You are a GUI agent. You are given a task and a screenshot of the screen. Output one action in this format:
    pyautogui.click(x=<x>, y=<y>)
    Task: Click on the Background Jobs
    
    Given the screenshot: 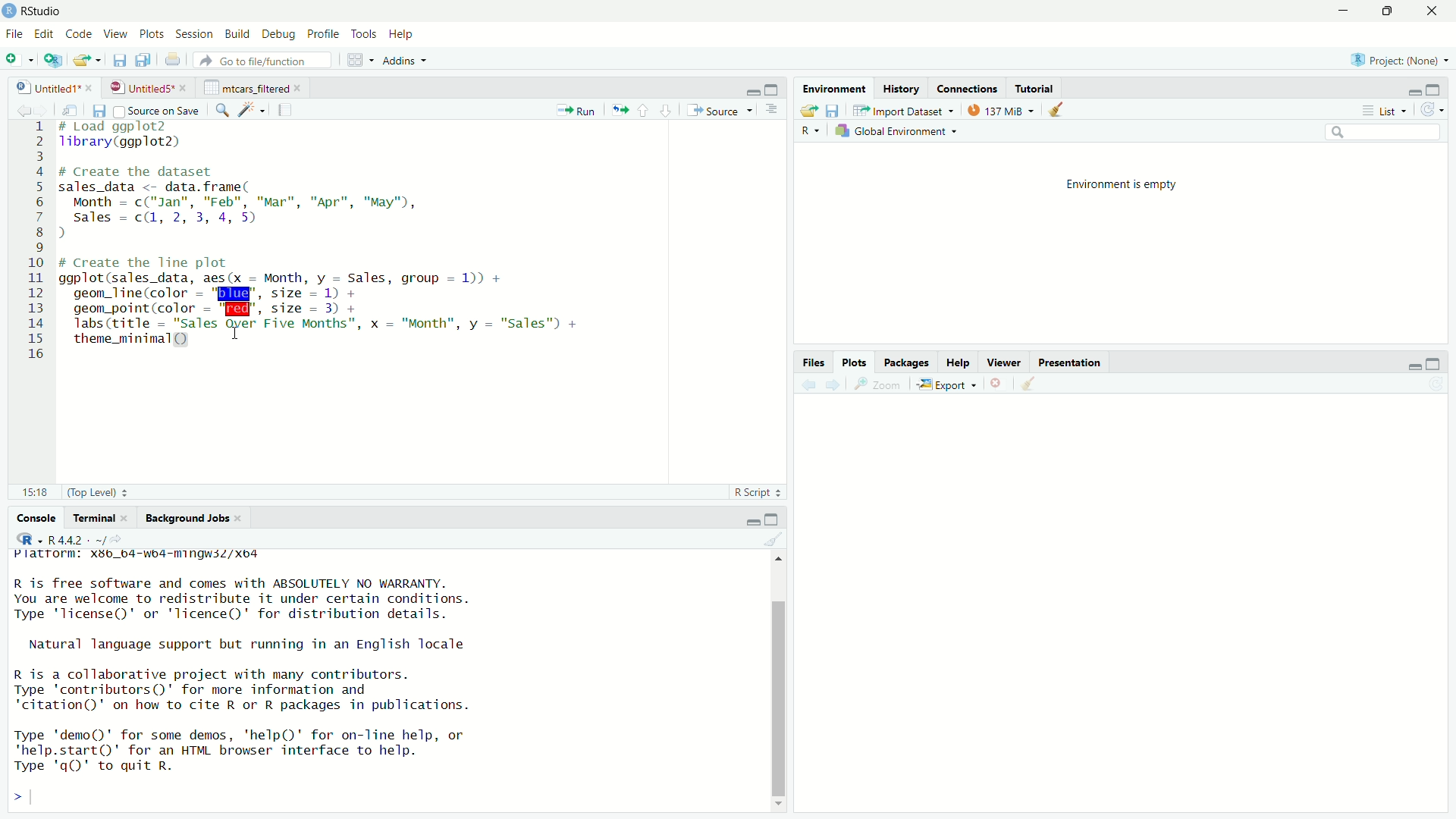 What is the action you would take?
    pyautogui.click(x=187, y=519)
    